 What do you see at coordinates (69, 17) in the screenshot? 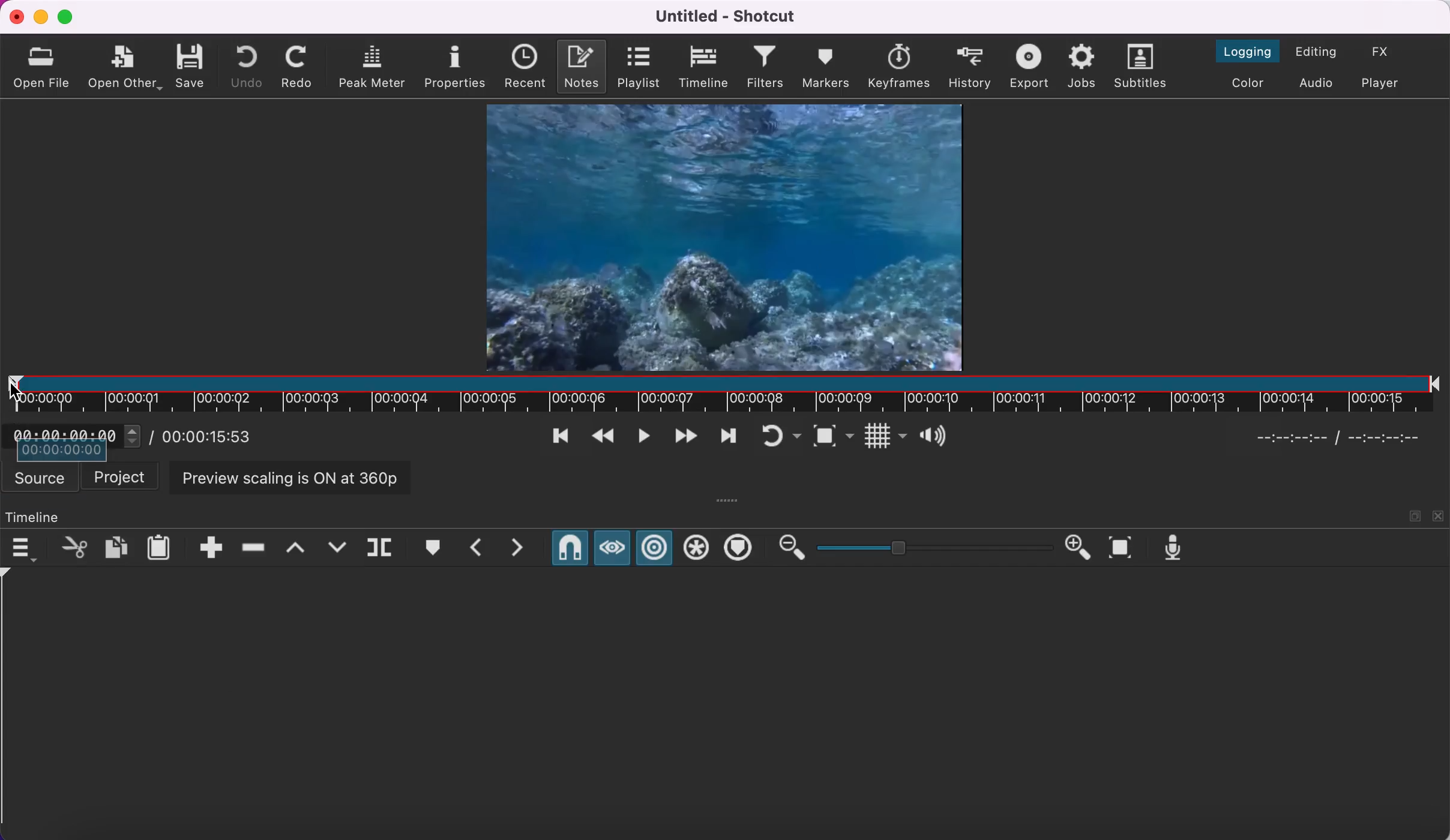
I see `maximize` at bounding box center [69, 17].